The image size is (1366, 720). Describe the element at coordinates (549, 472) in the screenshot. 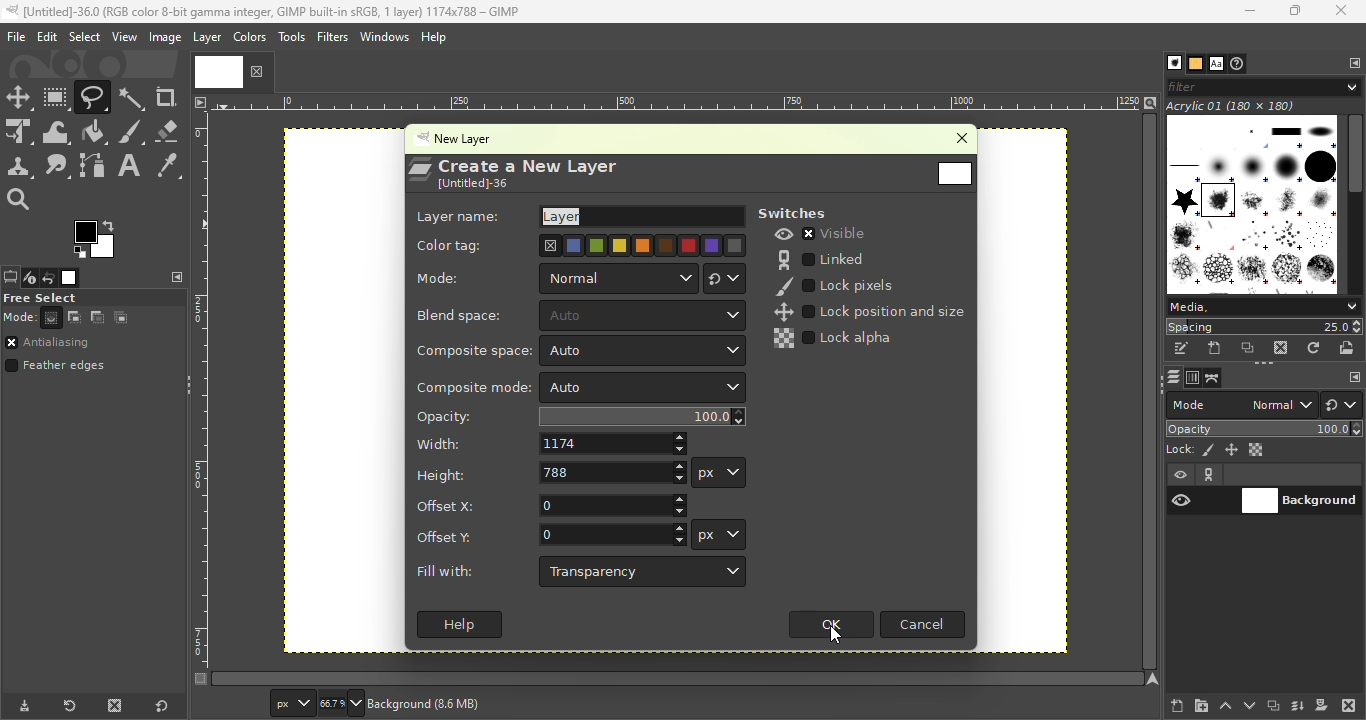

I see `Height` at that location.